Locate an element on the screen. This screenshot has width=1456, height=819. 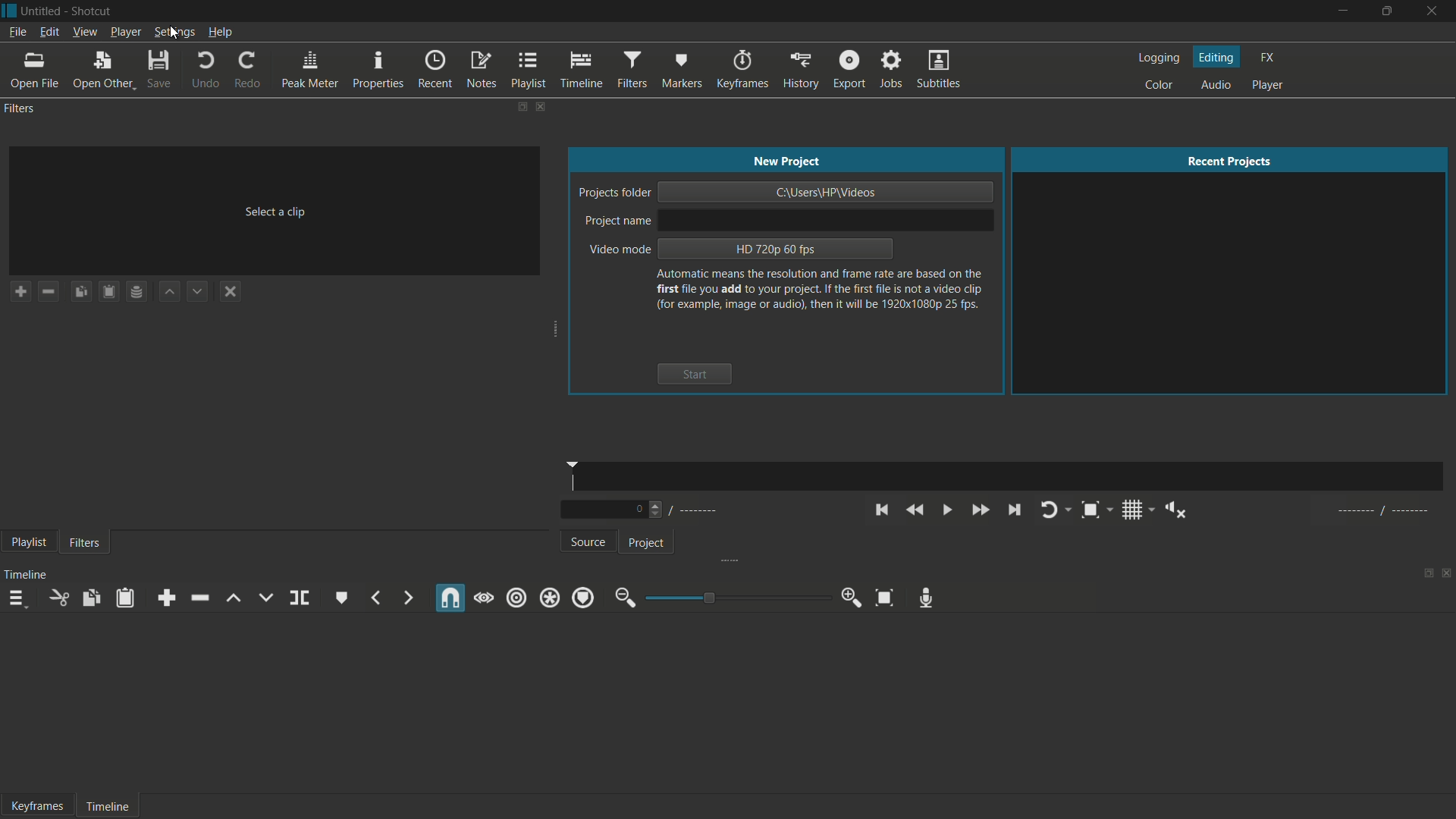
copy is located at coordinates (92, 599).